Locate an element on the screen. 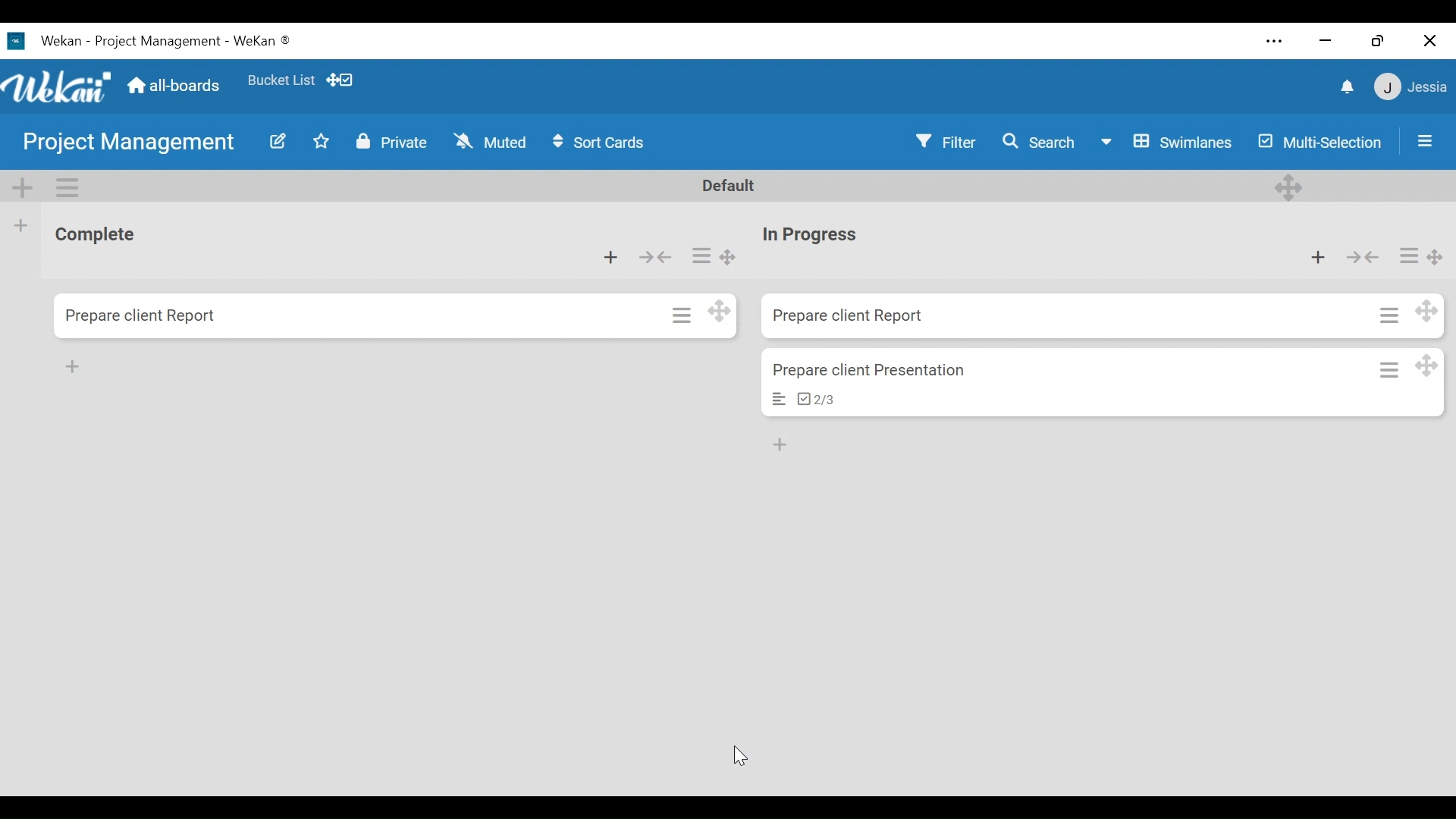 This screenshot has height=819, width=1456. Deesktop drag handle is located at coordinates (1289, 187).